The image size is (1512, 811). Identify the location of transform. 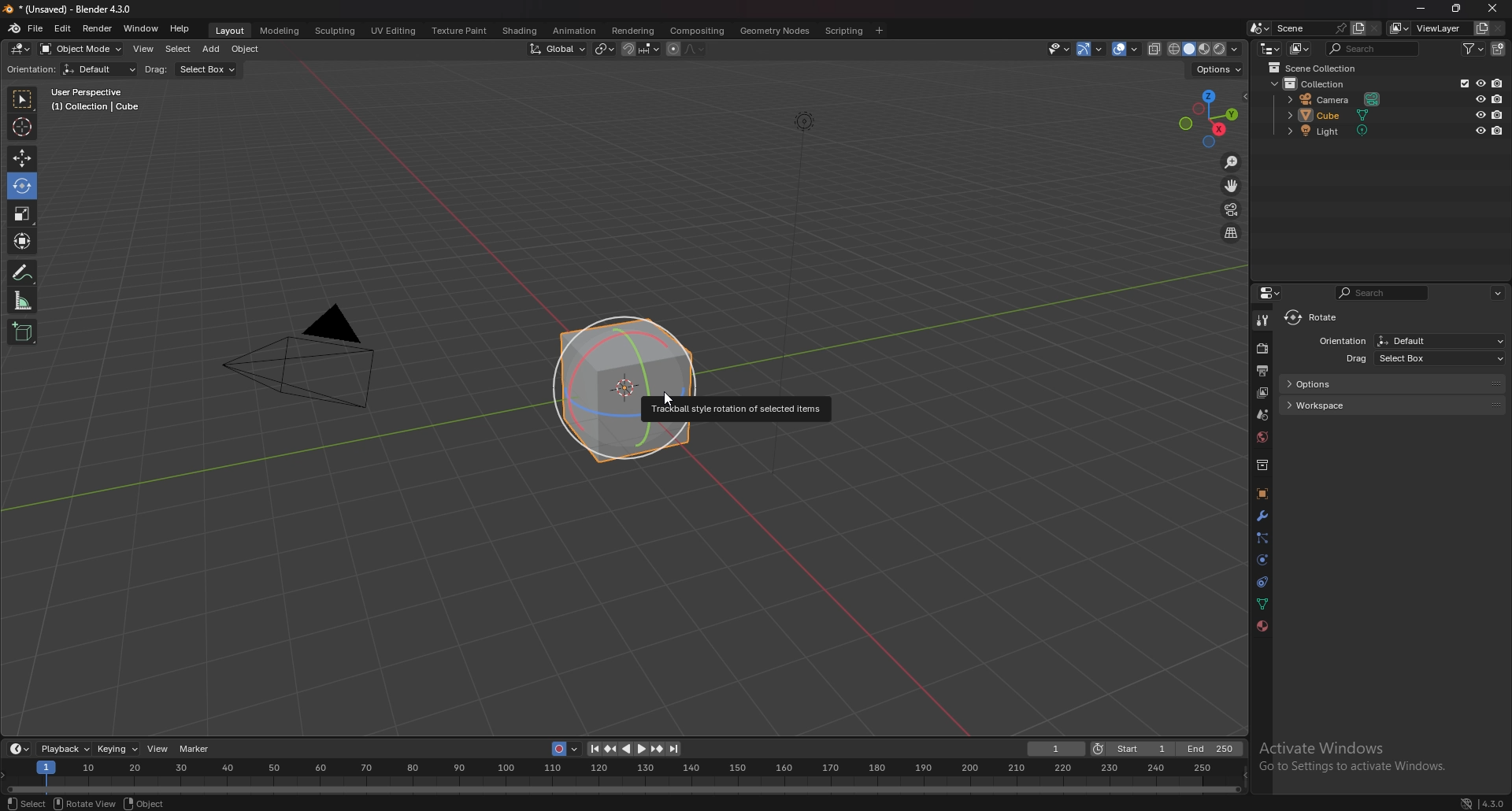
(24, 241).